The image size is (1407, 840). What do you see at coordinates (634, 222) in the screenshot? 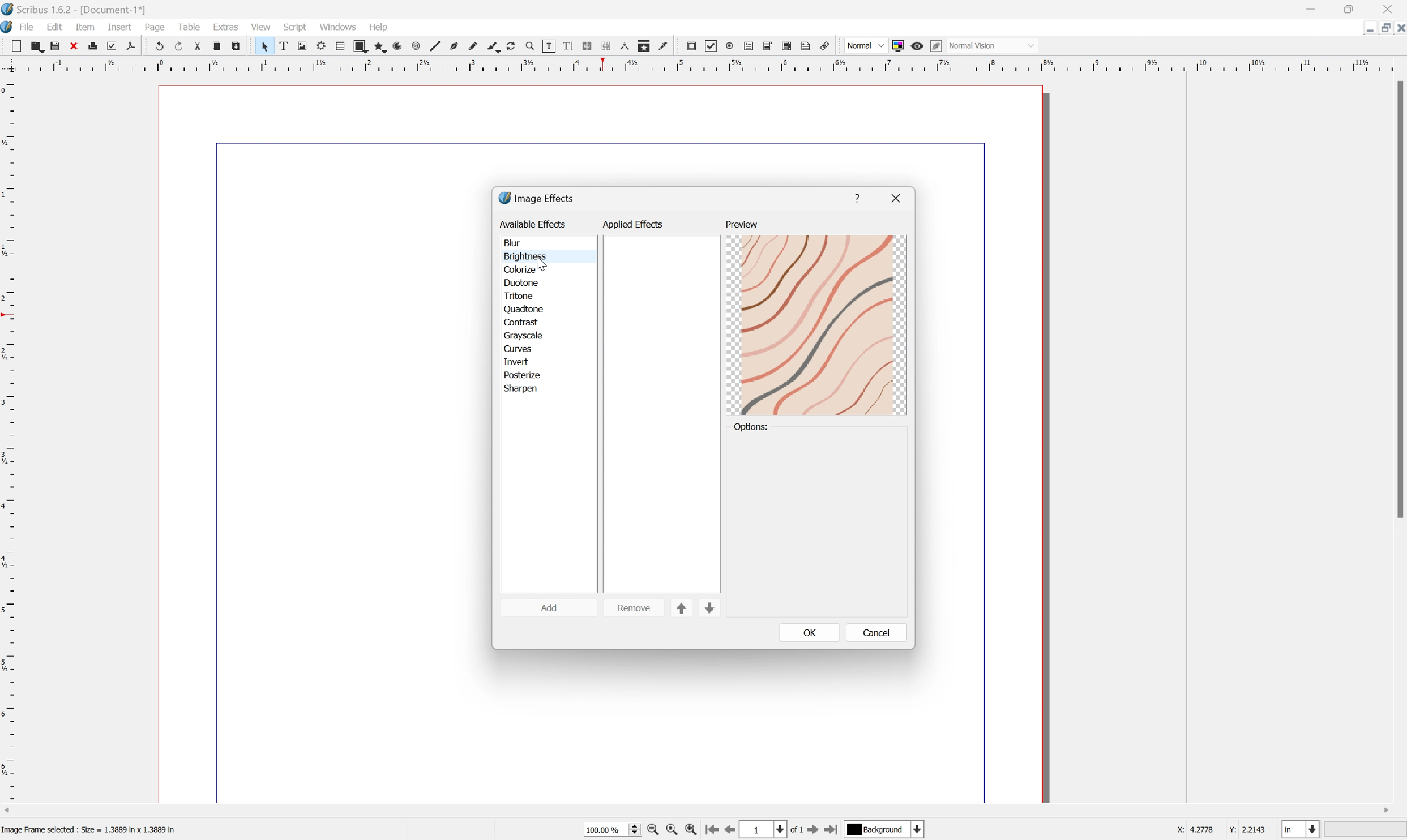
I see `applied effects` at bounding box center [634, 222].